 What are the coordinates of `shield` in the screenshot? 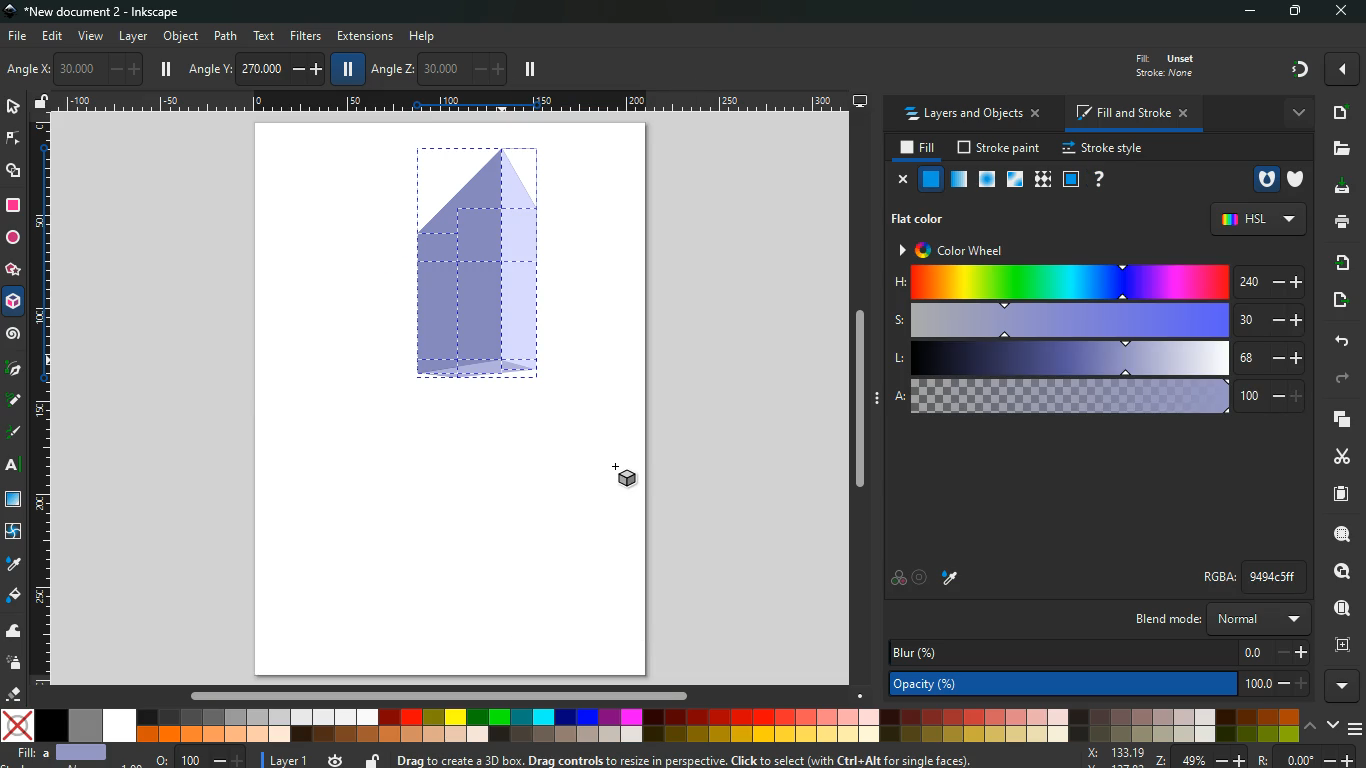 It's located at (1299, 180).